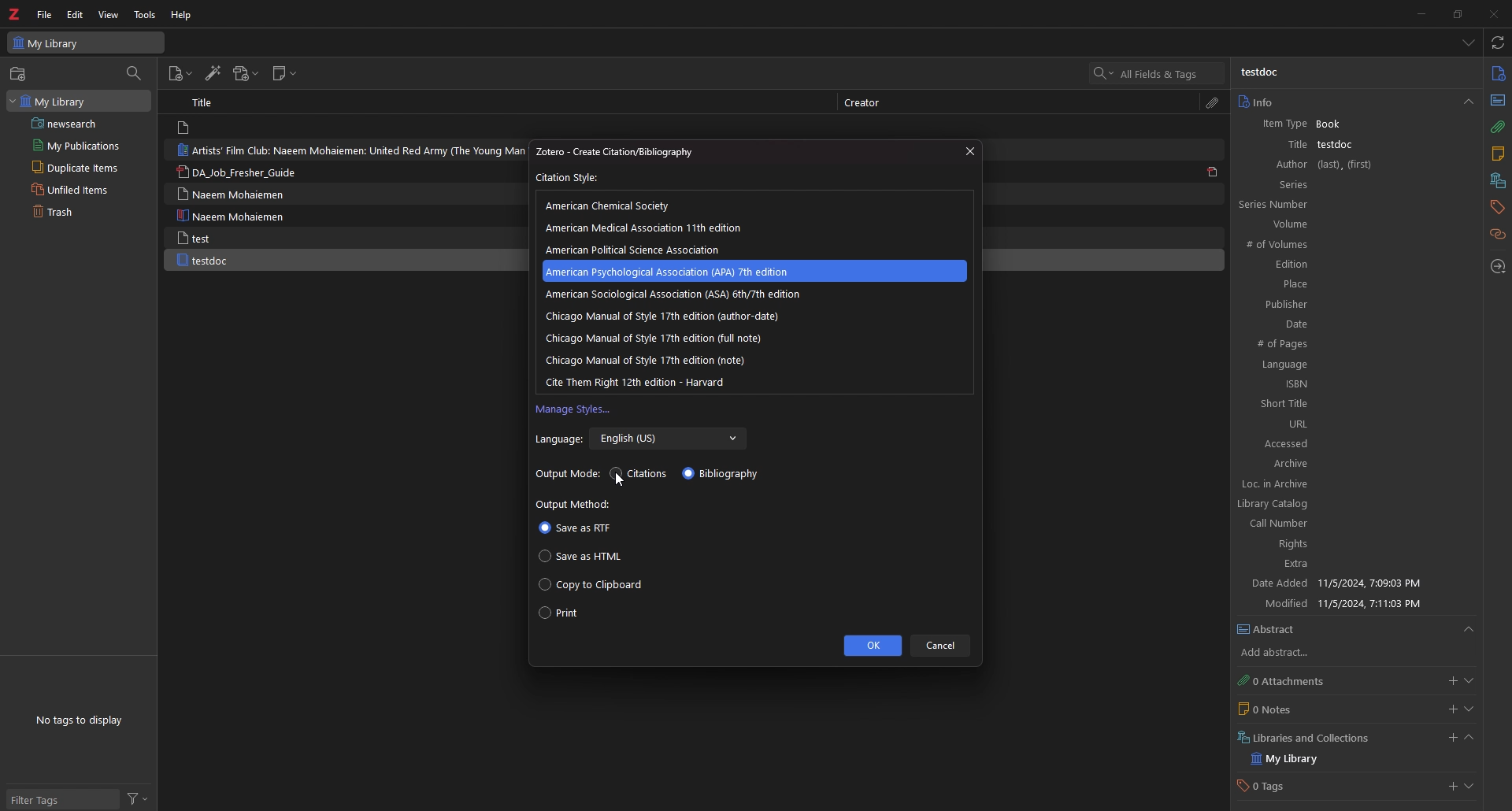  What do you see at coordinates (569, 475) in the screenshot?
I see `Output mode:` at bounding box center [569, 475].